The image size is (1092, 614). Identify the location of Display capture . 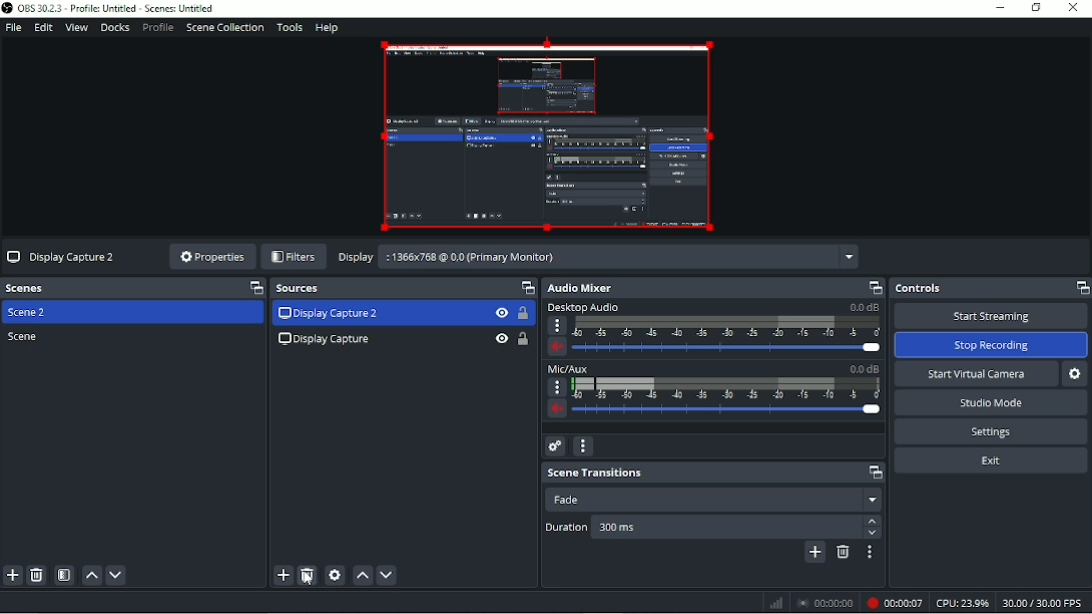
(328, 314).